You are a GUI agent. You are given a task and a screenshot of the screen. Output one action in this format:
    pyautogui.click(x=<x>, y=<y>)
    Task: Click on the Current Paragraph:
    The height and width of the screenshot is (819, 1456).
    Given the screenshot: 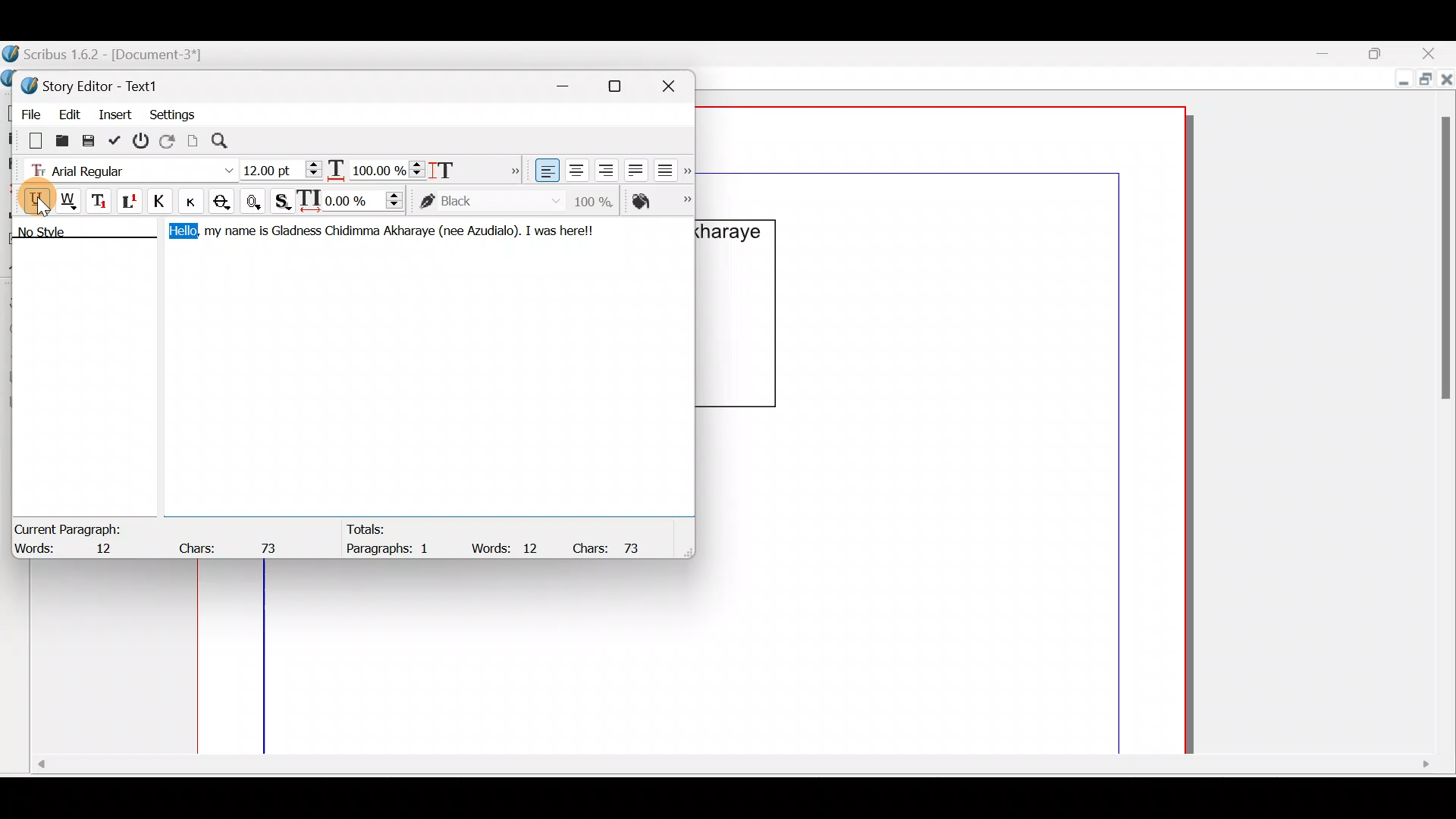 What is the action you would take?
    pyautogui.click(x=70, y=527)
    